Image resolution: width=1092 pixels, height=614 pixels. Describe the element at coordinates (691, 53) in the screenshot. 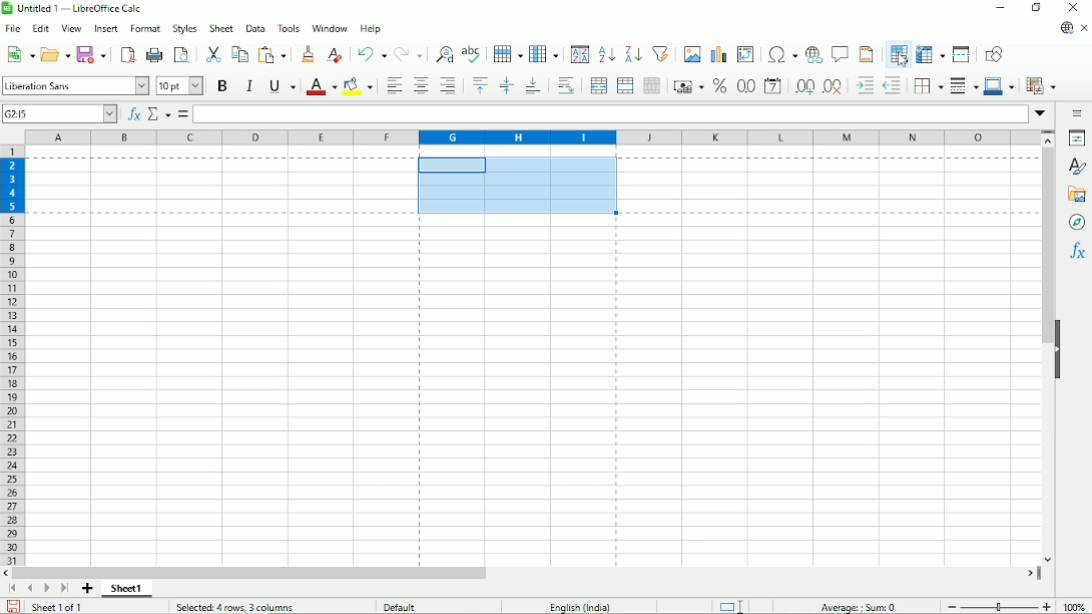

I see `Insert image` at that location.